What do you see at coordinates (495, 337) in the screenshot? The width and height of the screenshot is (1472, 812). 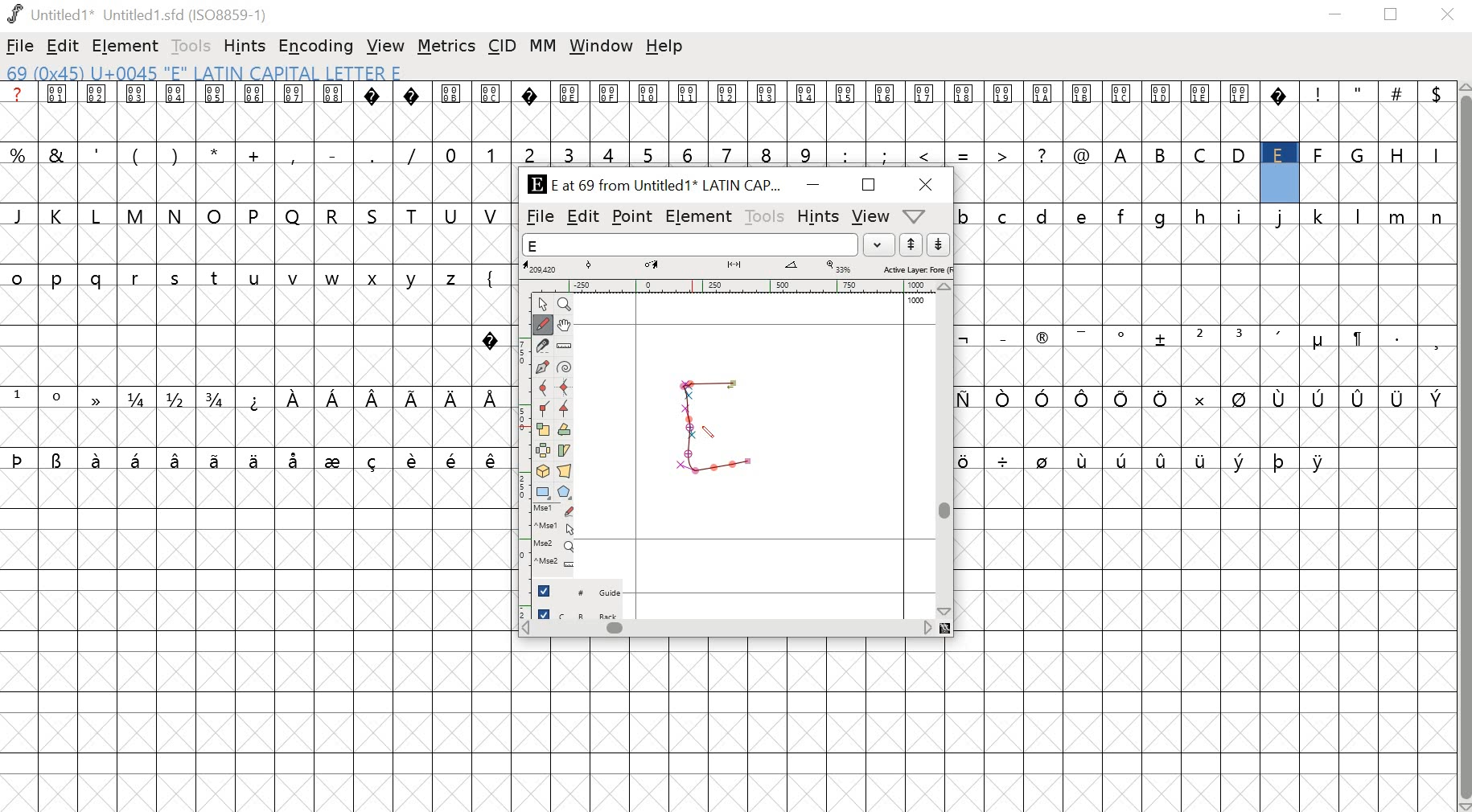 I see `special character` at bounding box center [495, 337].